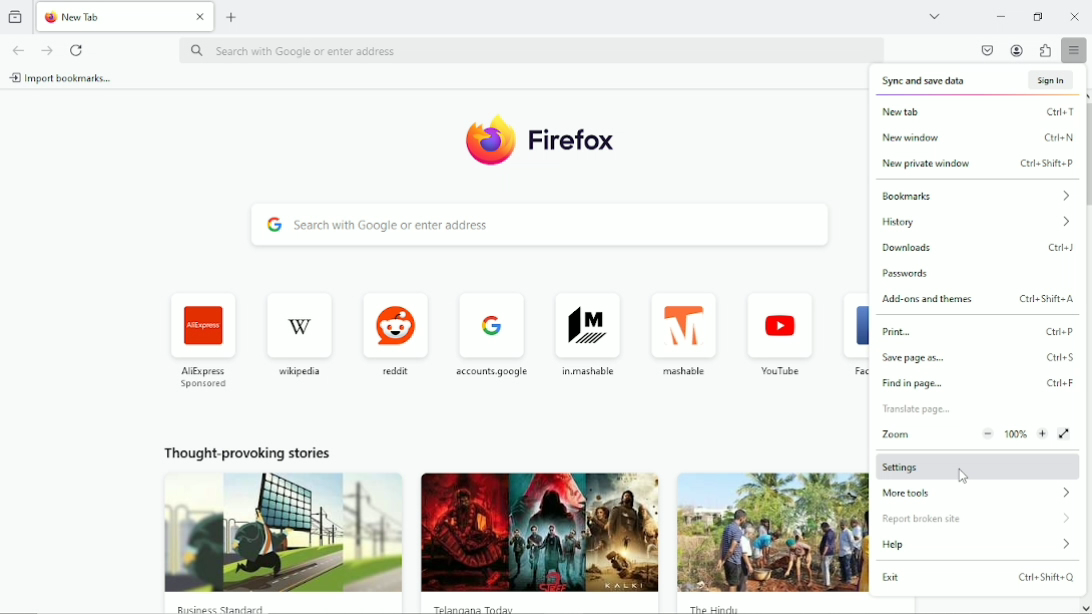 The width and height of the screenshot is (1092, 614). What do you see at coordinates (78, 50) in the screenshot?
I see `reload the current tab` at bounding box center [78, 50].